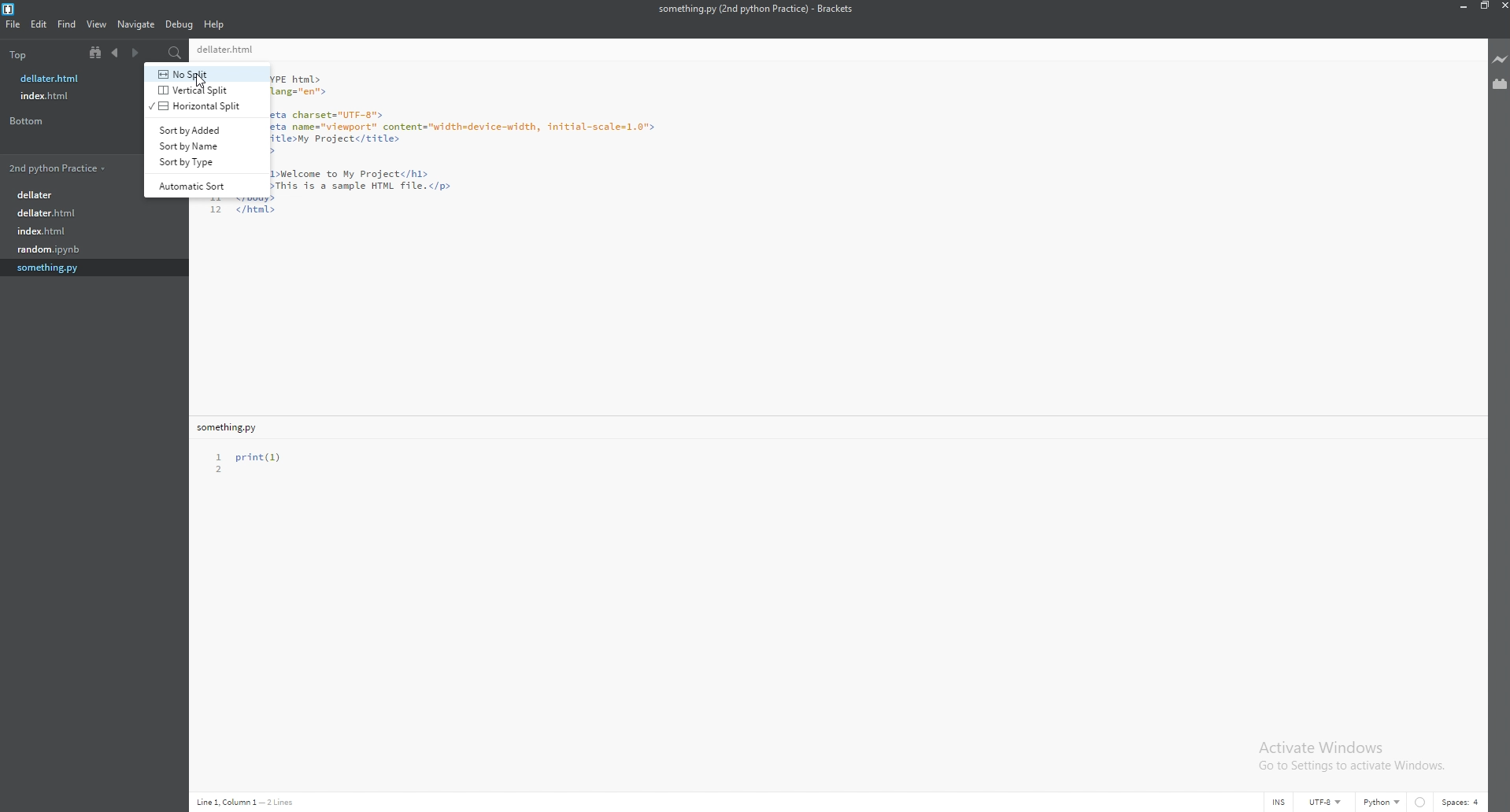 The image size is (1510, 812). Describe the element at coordinates (1462, 6) in the screenshot. I see `minimize` at that location.